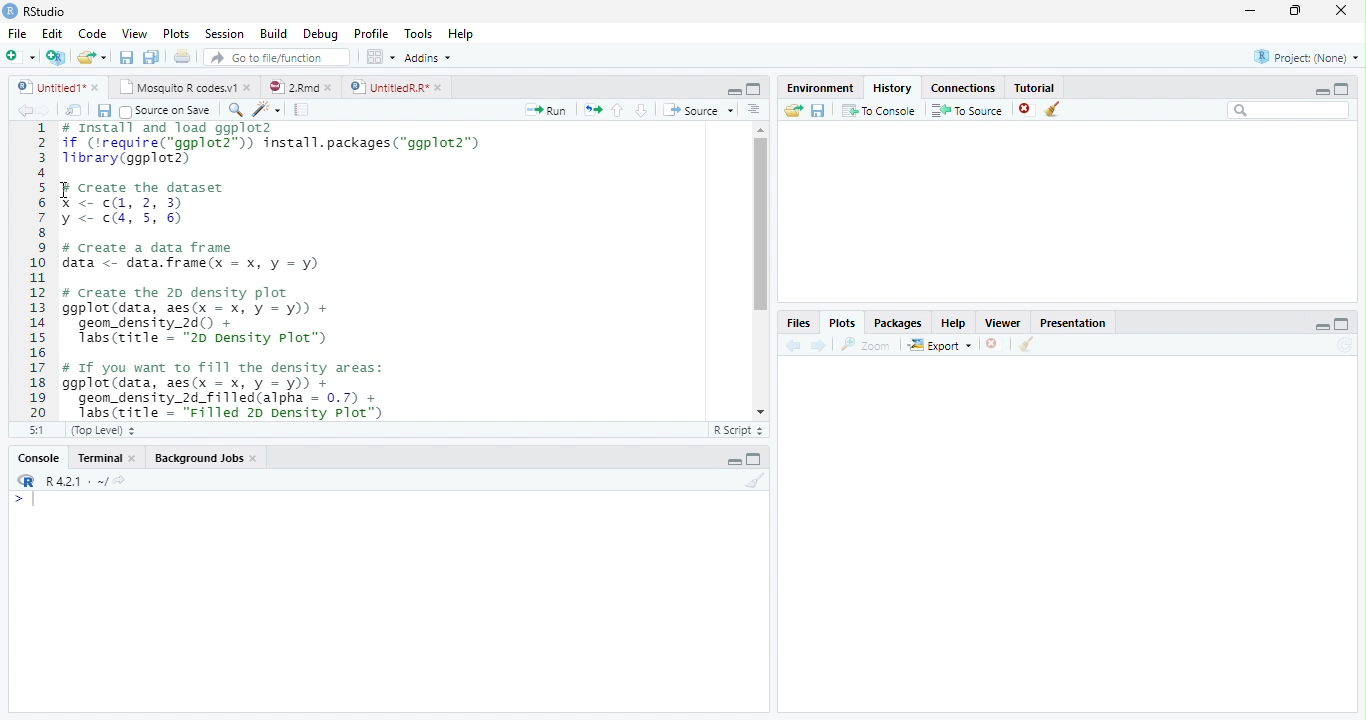 The width and height of the screenshot is (1366, 720). I want to click on Scrollbar up, so click(758, 130).